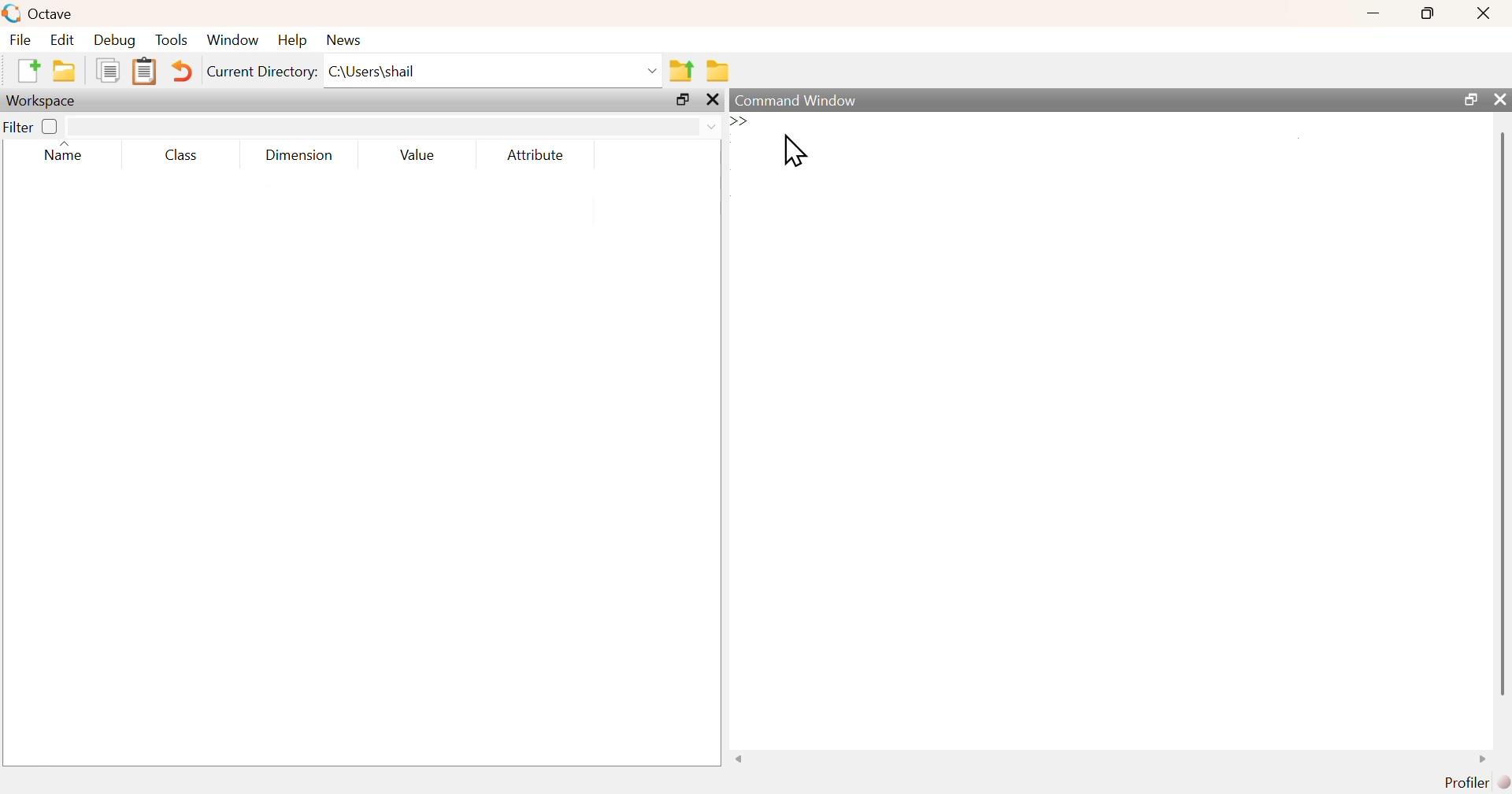  Describe the element at coordinates (176, 154) in the screenshot. I see `Class` at that location.